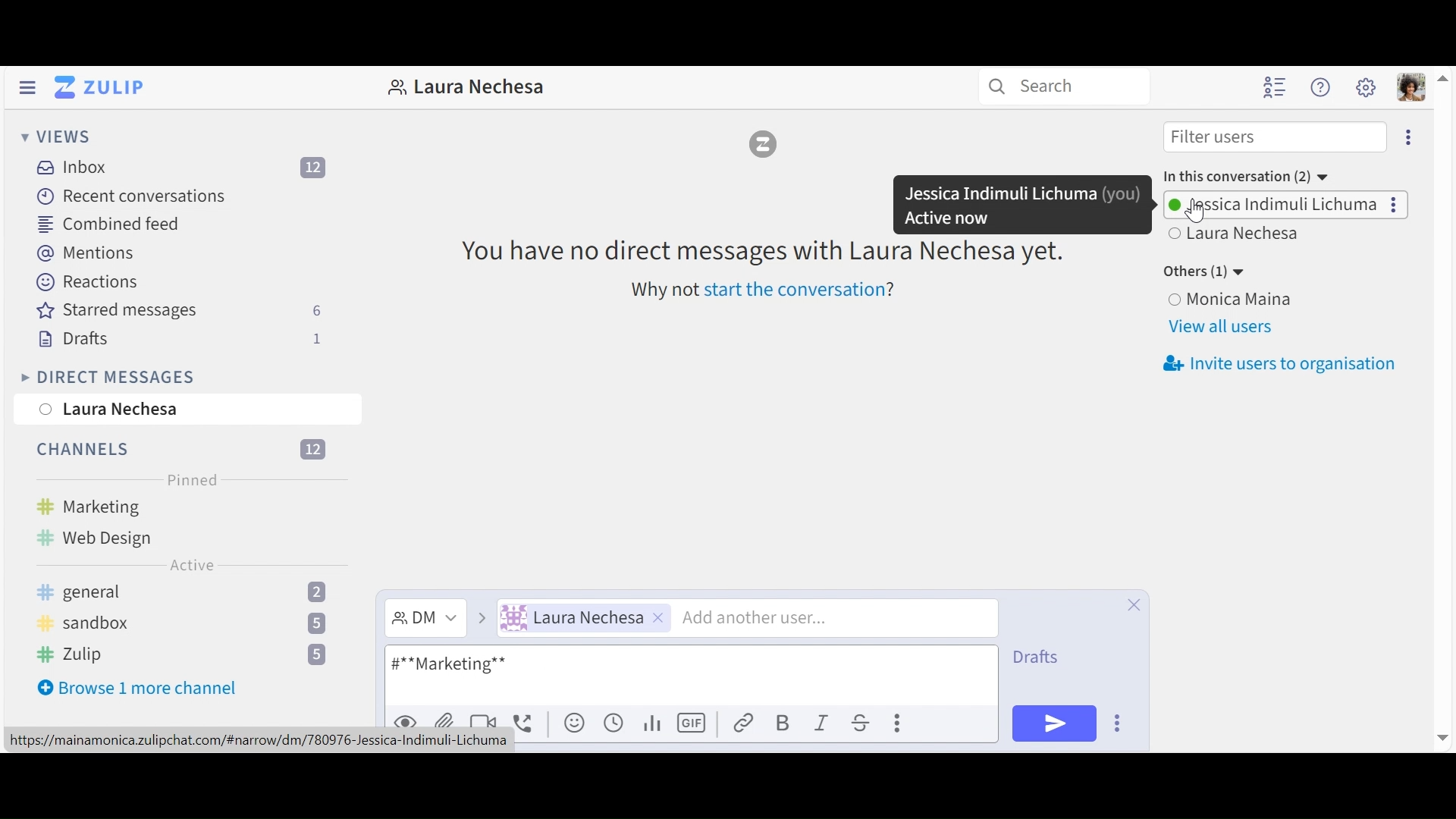 The image size is (1456, 819). Describe the element at coordinates (1367, 86) in the screenshot. I see `Main menu` at that location.